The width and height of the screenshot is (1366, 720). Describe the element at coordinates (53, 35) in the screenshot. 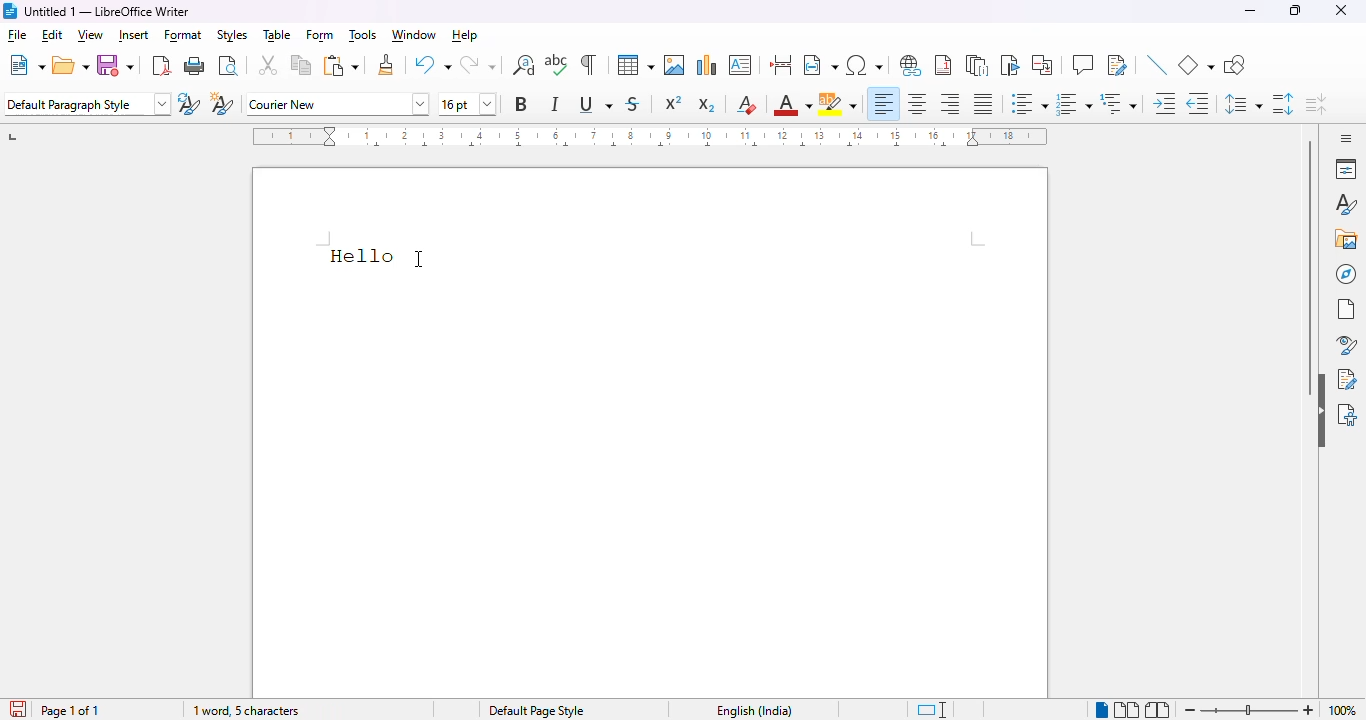

I see `edit` at that location.